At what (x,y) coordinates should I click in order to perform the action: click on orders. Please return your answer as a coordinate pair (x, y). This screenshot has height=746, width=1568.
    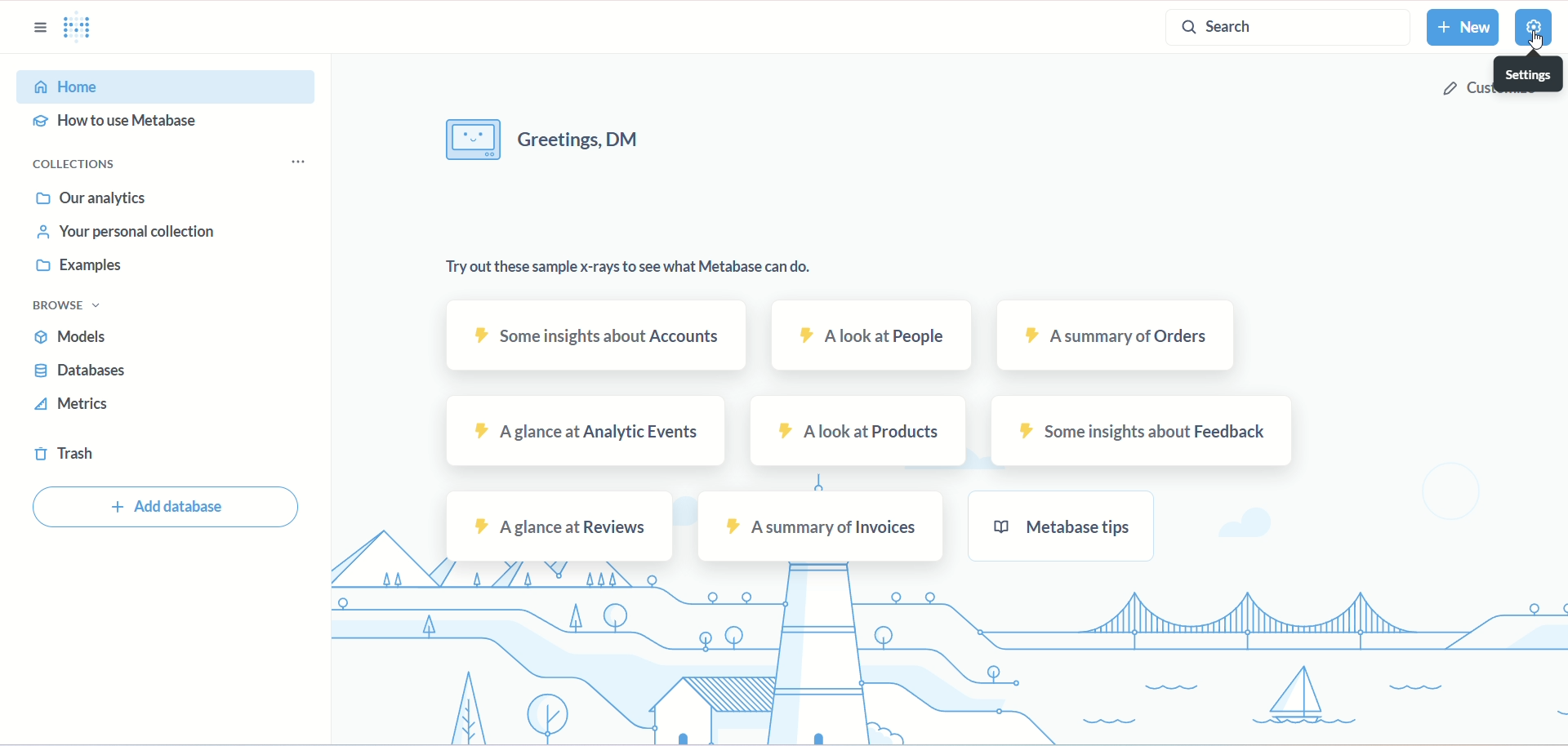
    Looking at the image, I should click on (1116, 335).